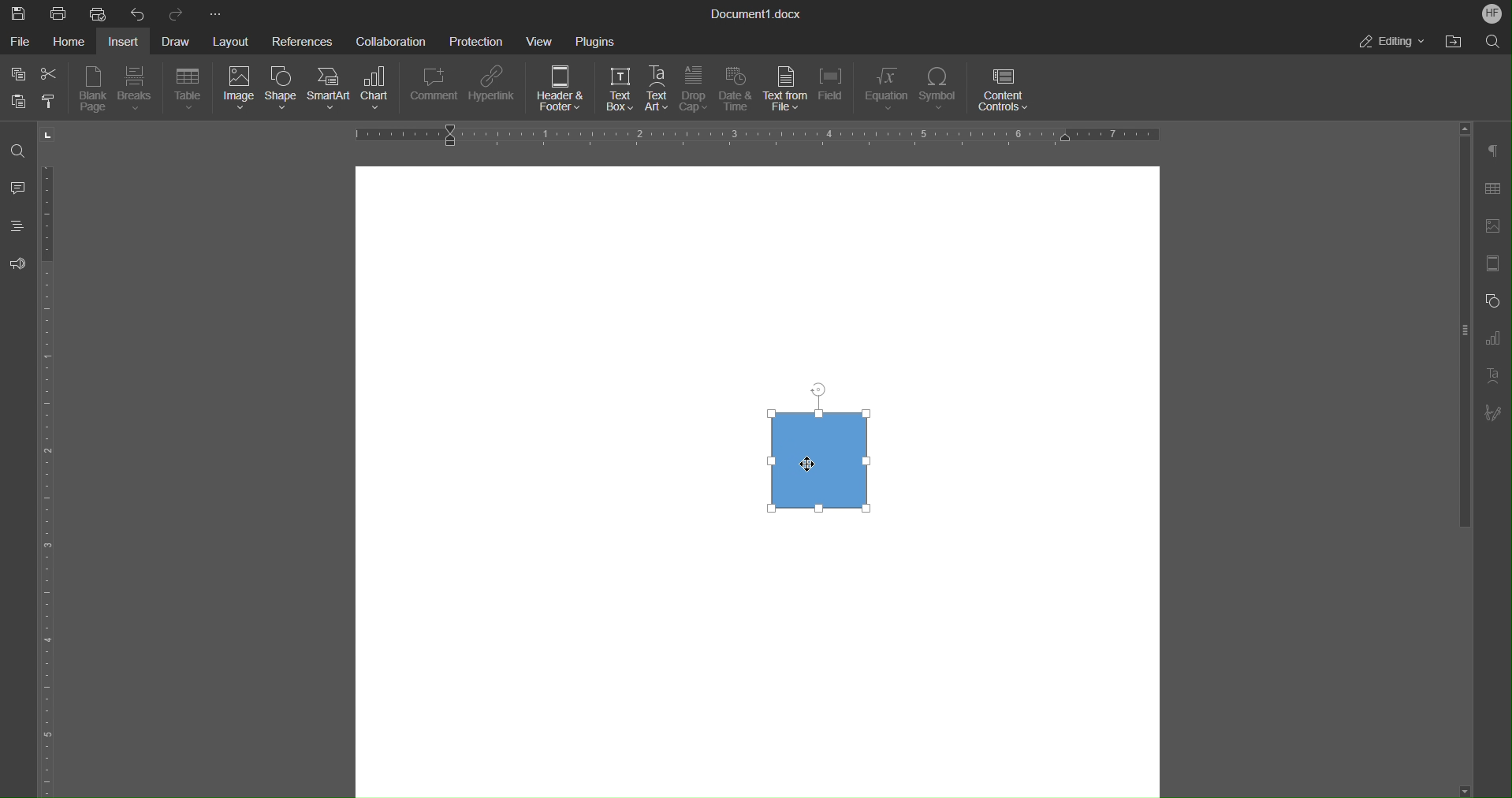 The image size is (1512, 798). I want to click on Document1.docx, so click(758, 15).